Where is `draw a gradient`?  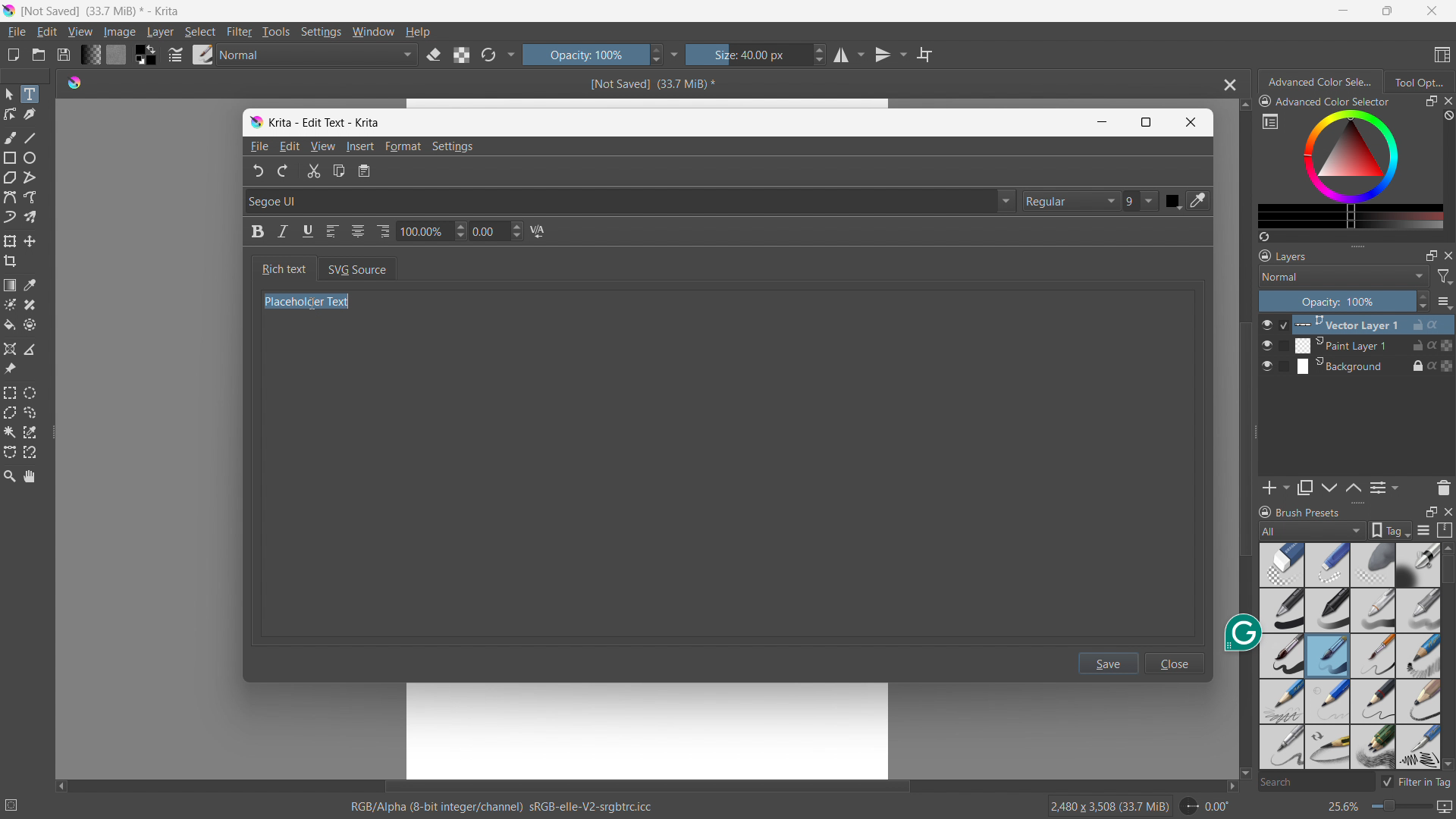 draw a gradient is located at coordinates (10, 285).